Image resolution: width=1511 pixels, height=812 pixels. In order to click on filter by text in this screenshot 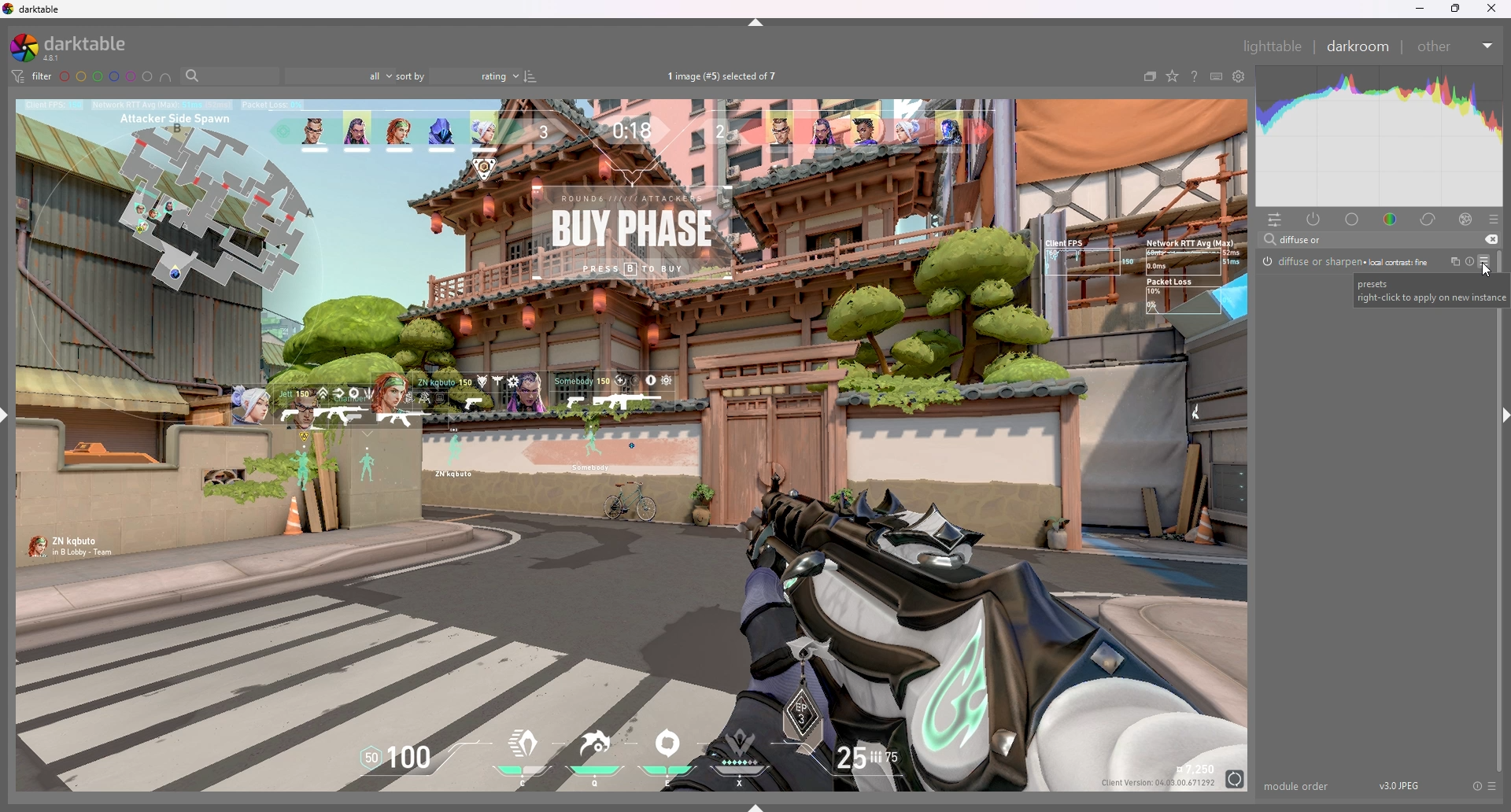, I will do `click(229, 76)`.